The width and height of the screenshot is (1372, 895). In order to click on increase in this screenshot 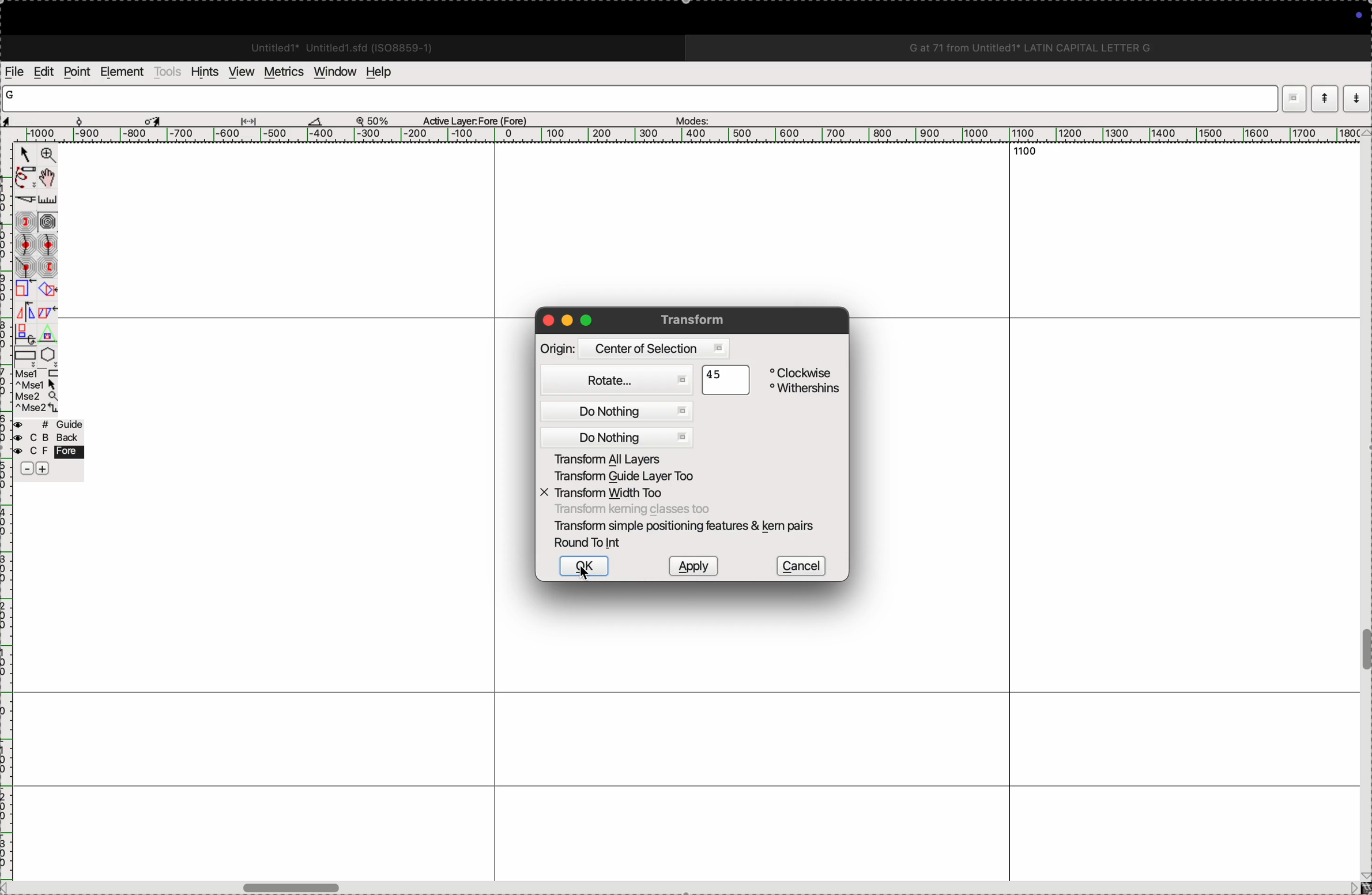, I will do `click(43, 468)`.